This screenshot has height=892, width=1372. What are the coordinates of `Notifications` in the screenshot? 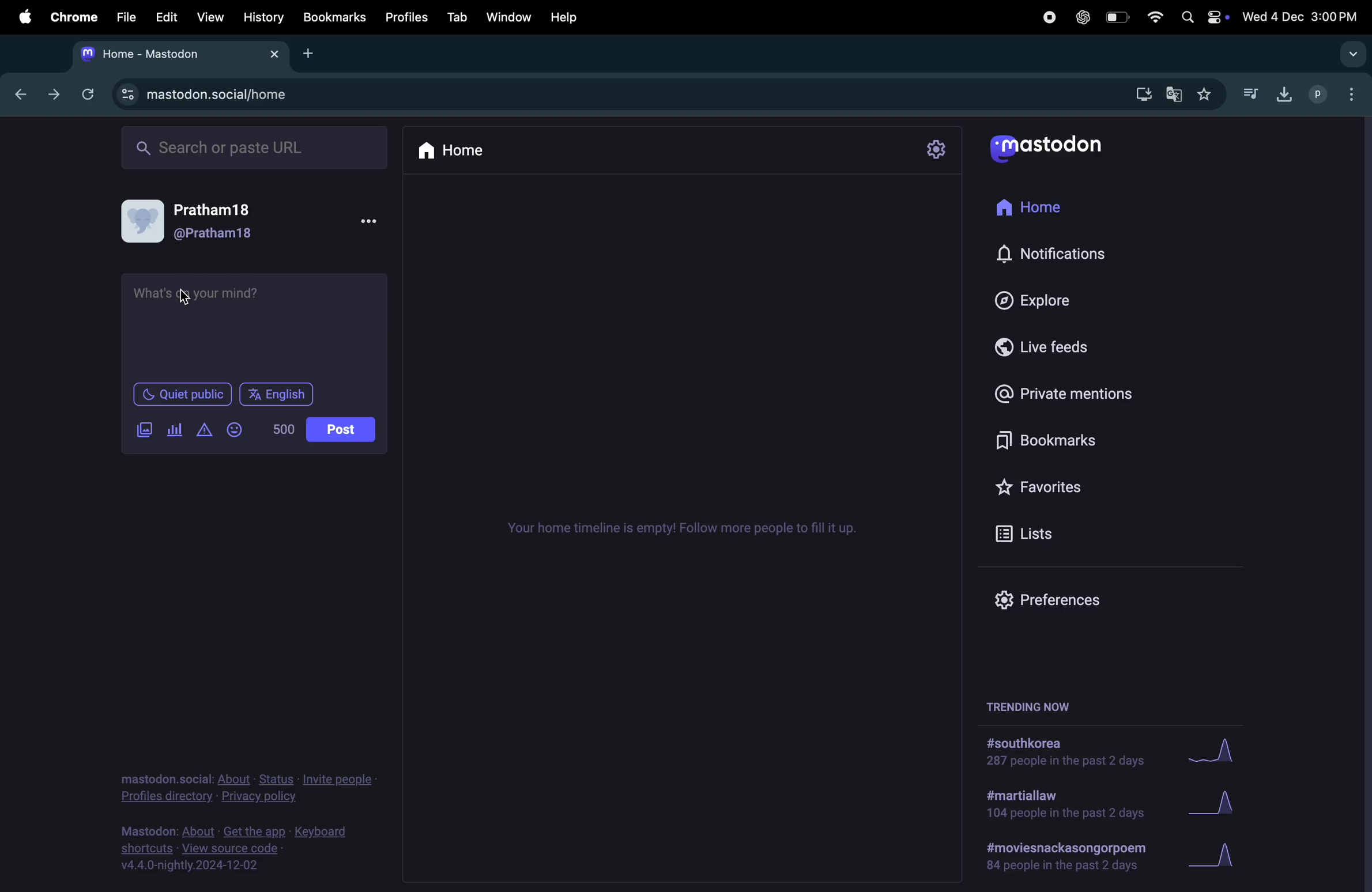 It's located at (1080, 252).